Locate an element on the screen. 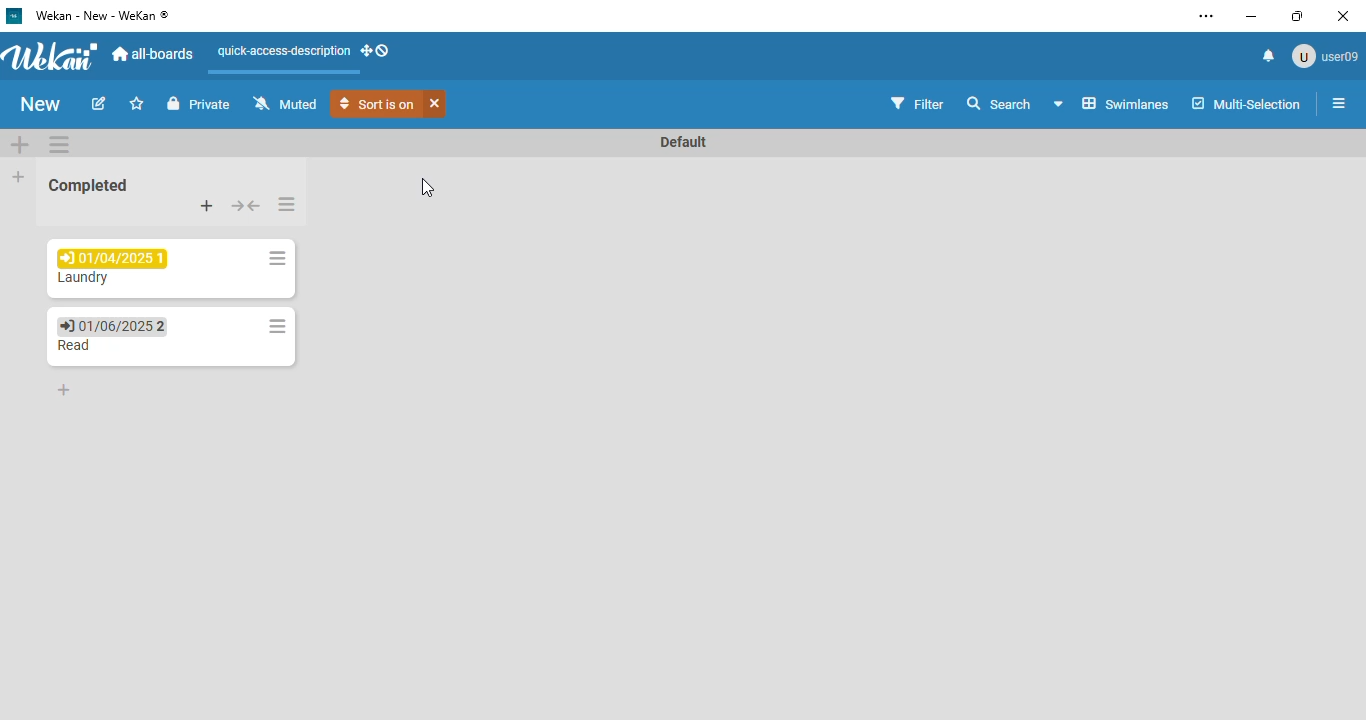  add card to top of list is located at coordinates (207, 205).